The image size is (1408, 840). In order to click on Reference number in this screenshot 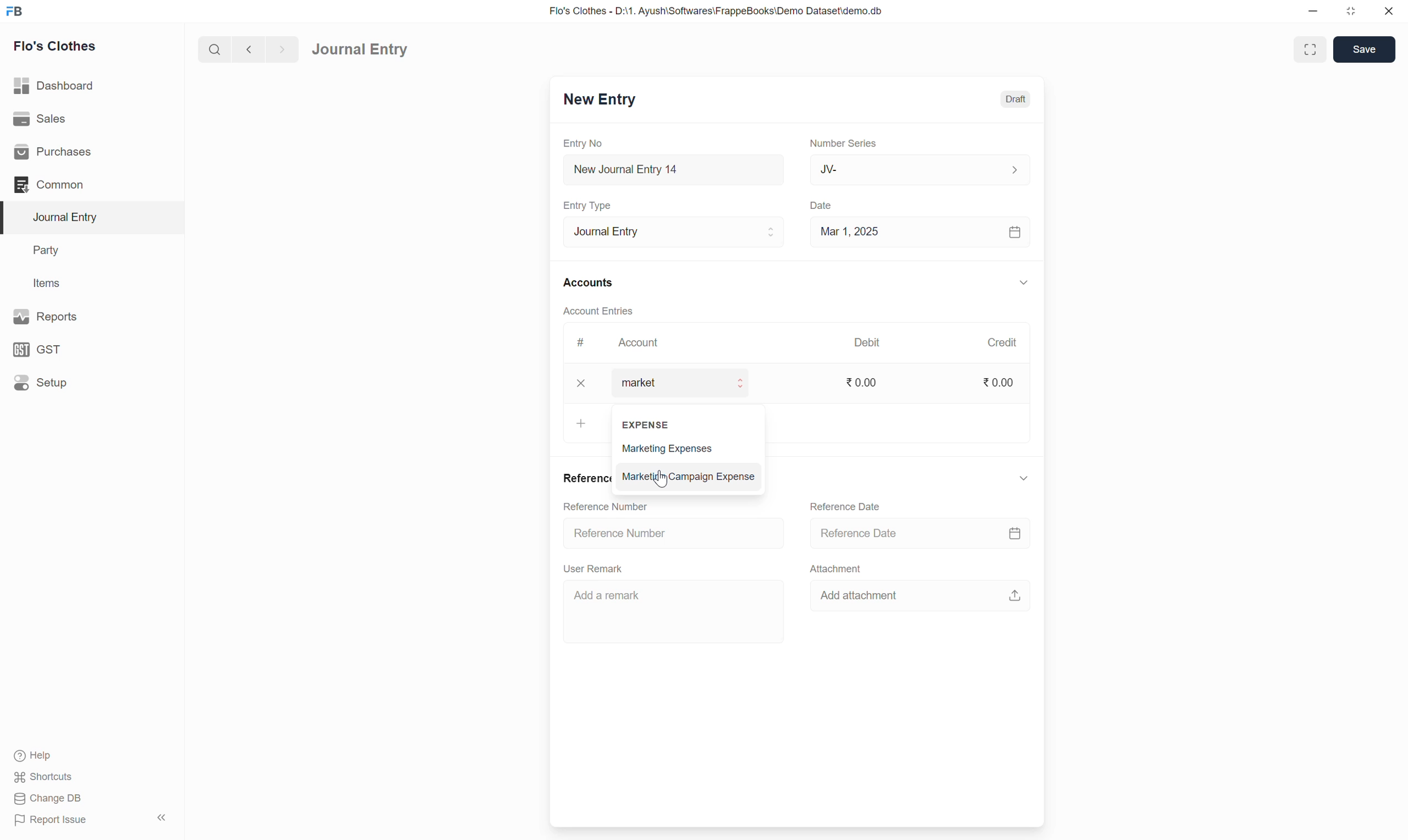, I will do `click(645, 534)`.